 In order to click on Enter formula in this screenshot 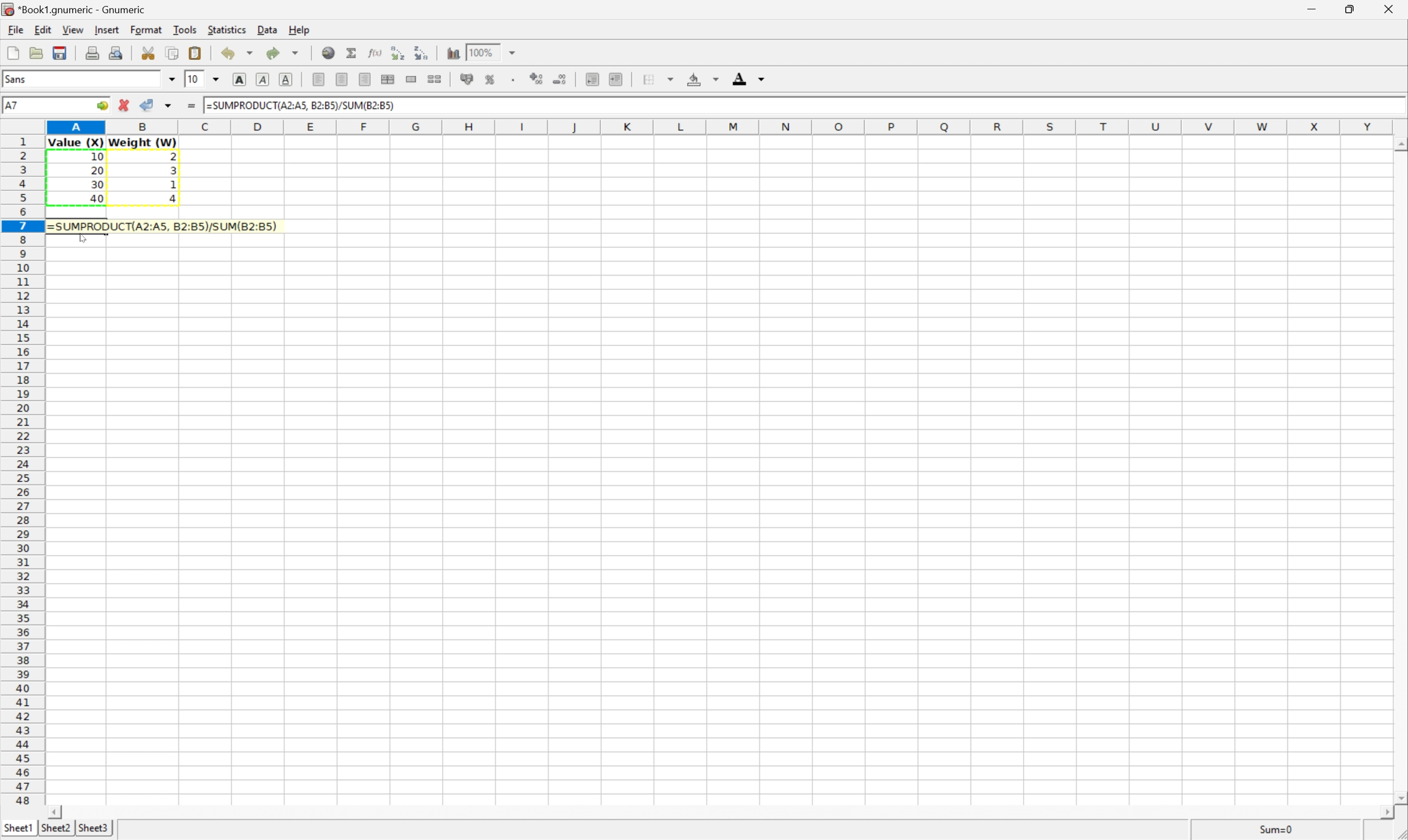, I will do `click(189, 106)`.